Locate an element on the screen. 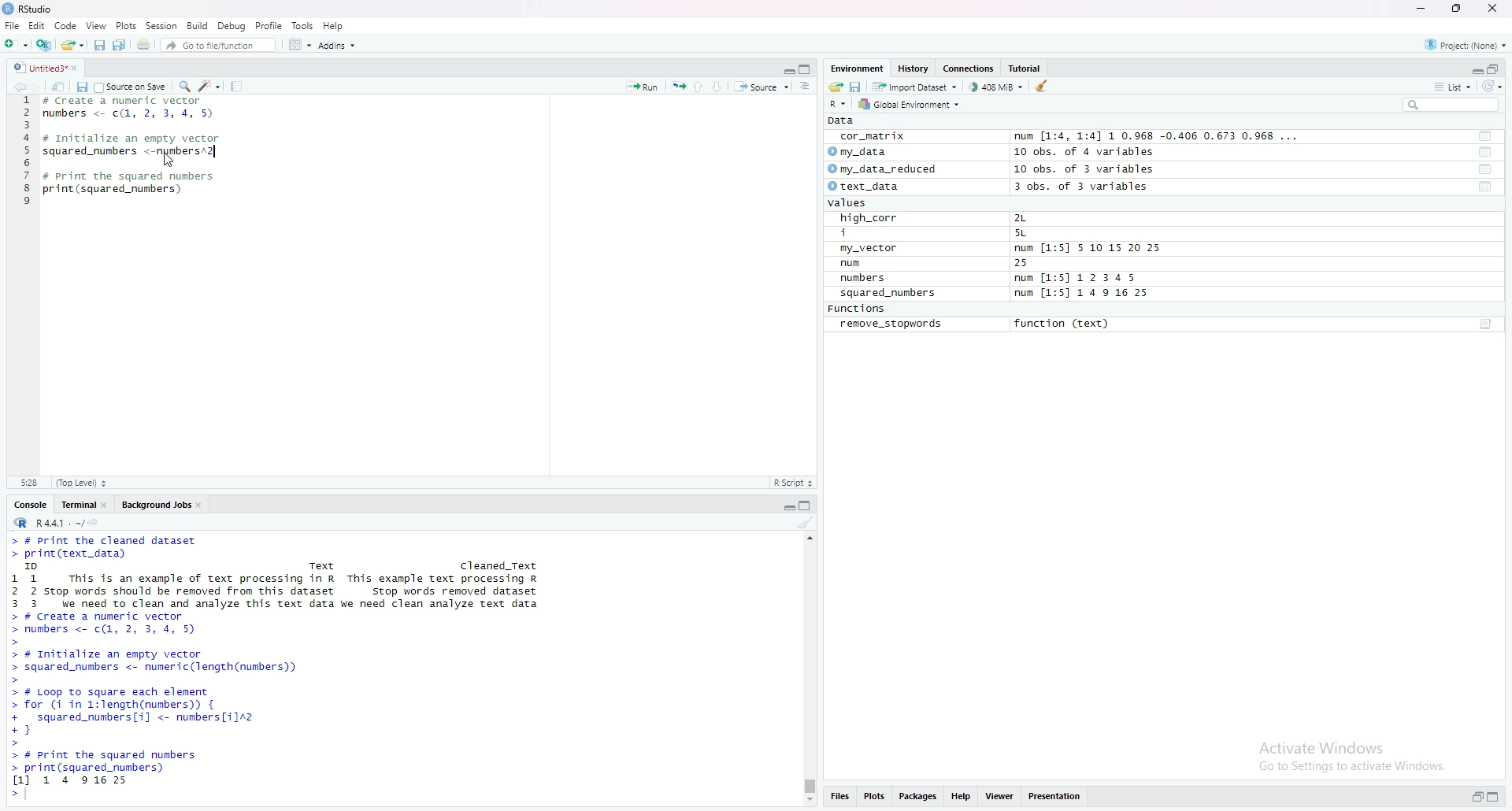 The width and height of the screenshot is (1512, 811). up is located at coordinates (699, 85).